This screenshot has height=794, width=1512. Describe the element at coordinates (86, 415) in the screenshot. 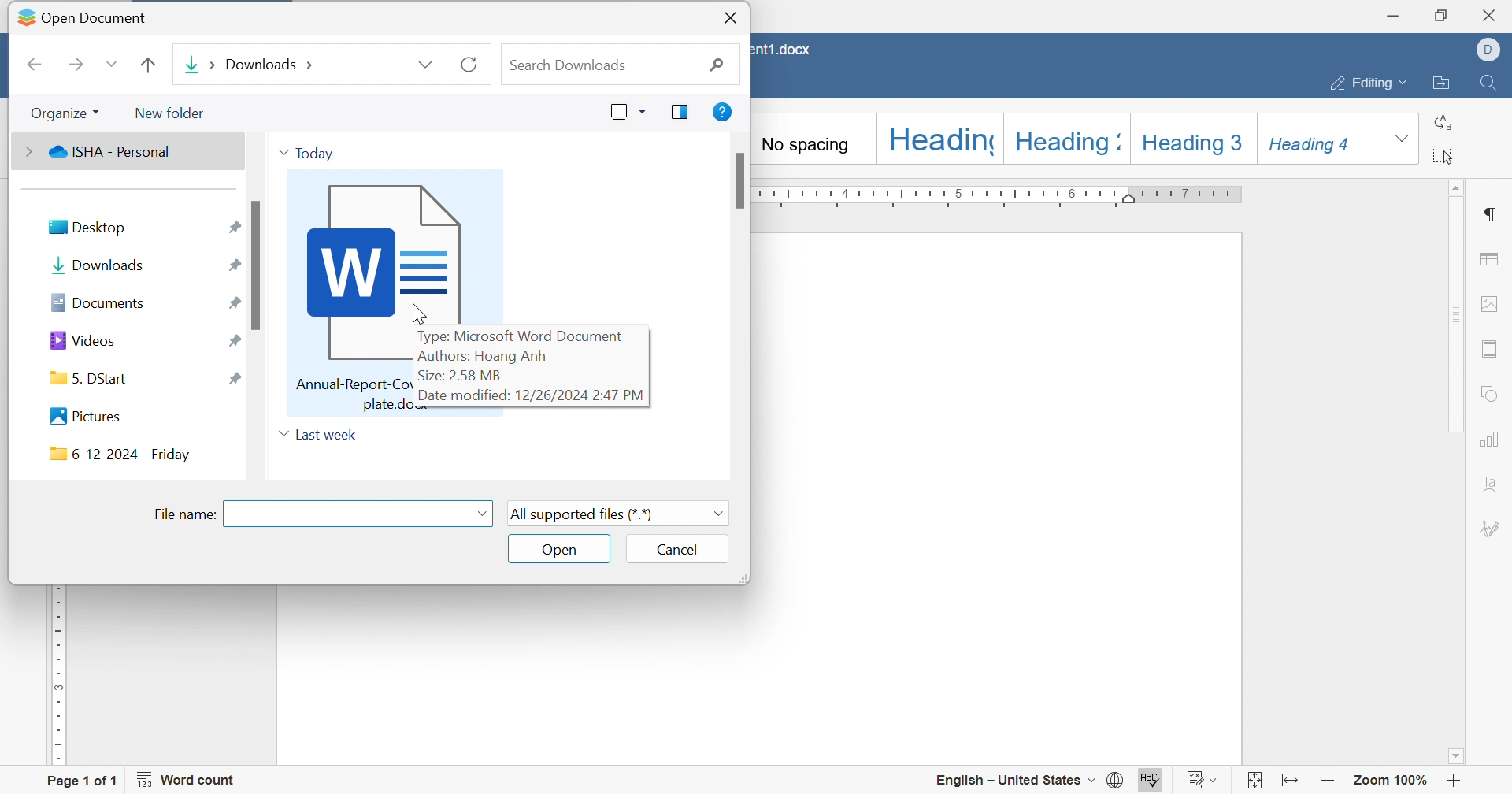

I see `pictures` at that location.